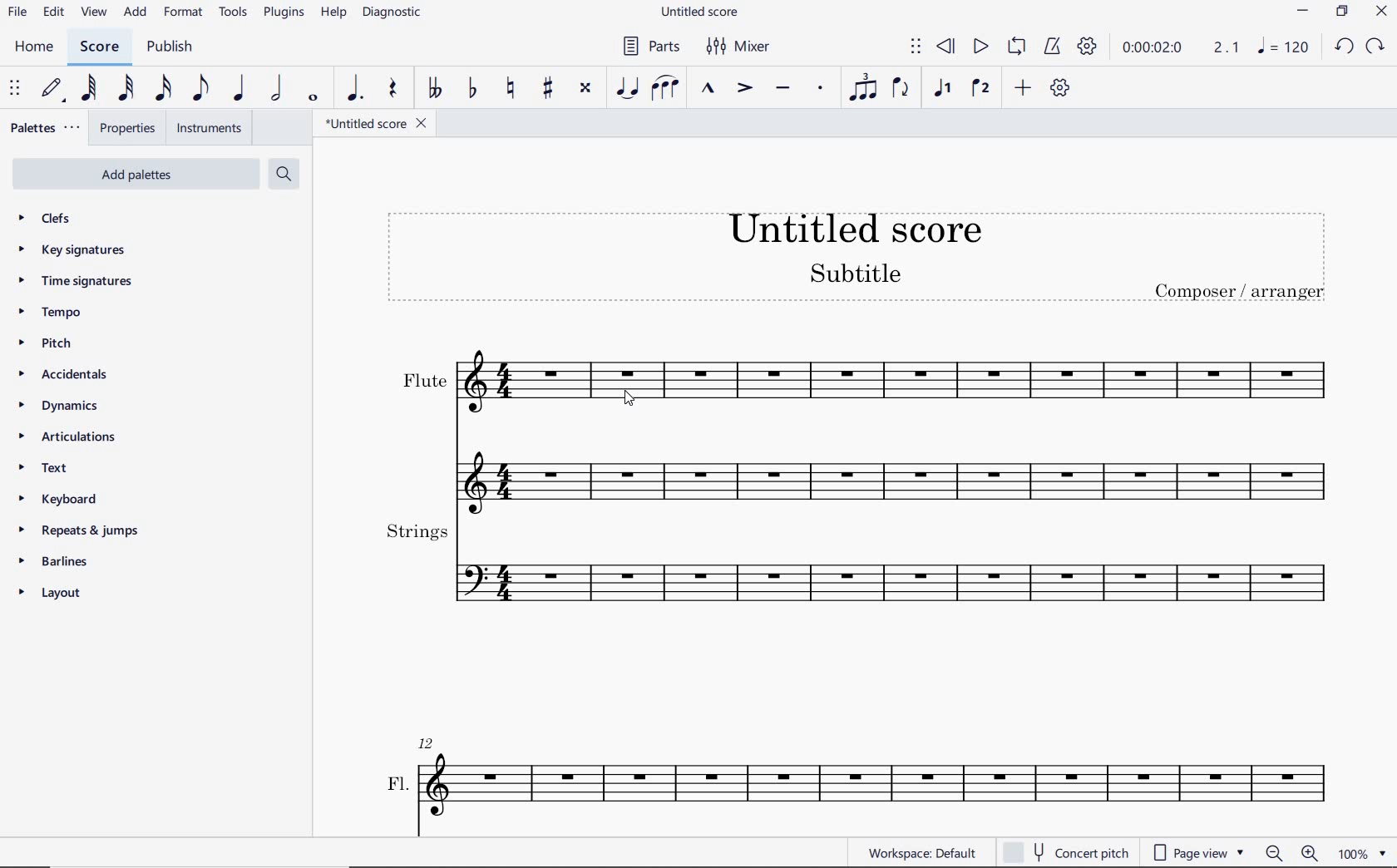 The image size is (1397, 868). I want to click on TOGGLE DOUBLE-SHARP, so click(585, 86).